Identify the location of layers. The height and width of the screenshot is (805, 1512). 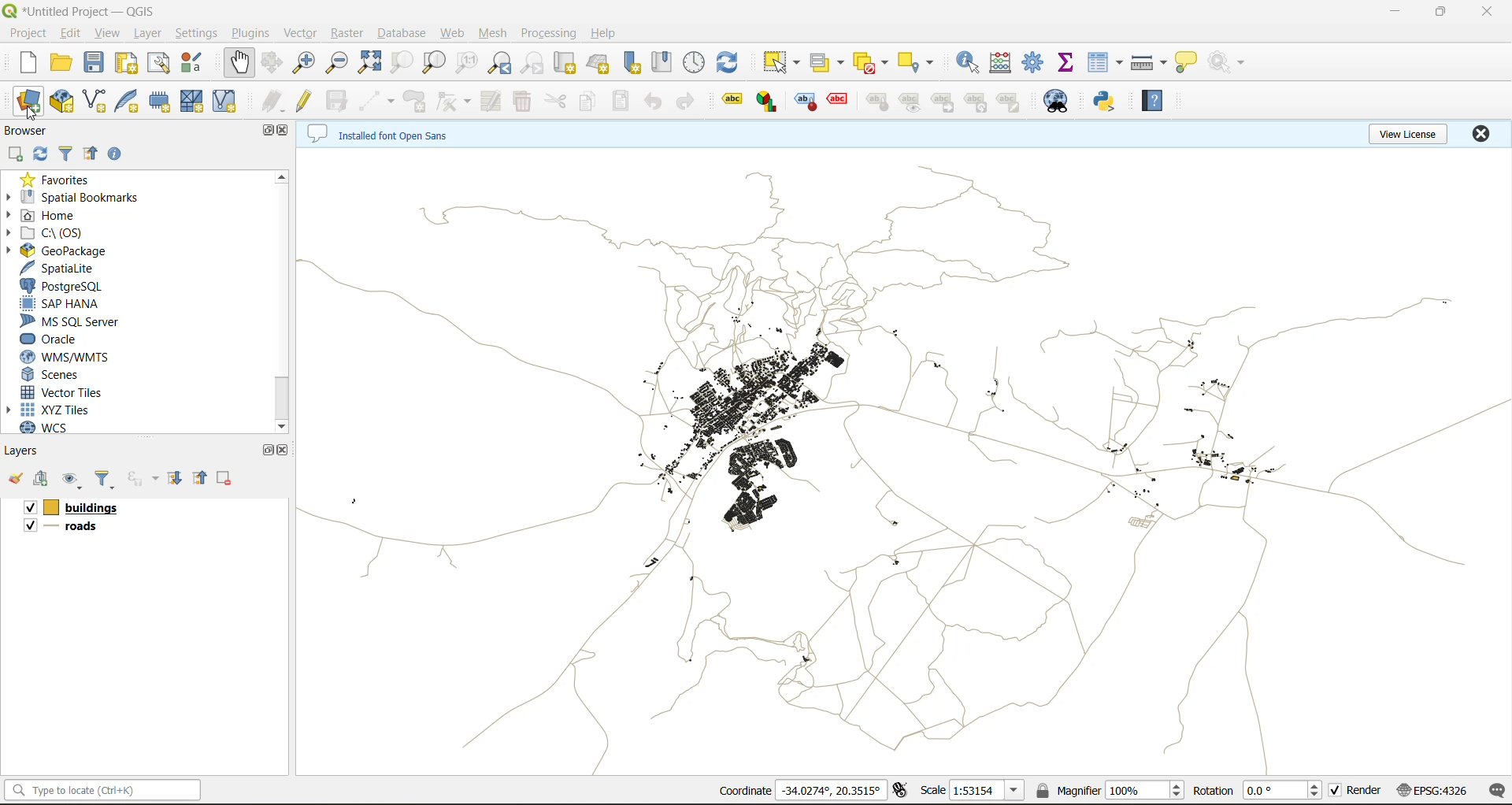
(898, 459).